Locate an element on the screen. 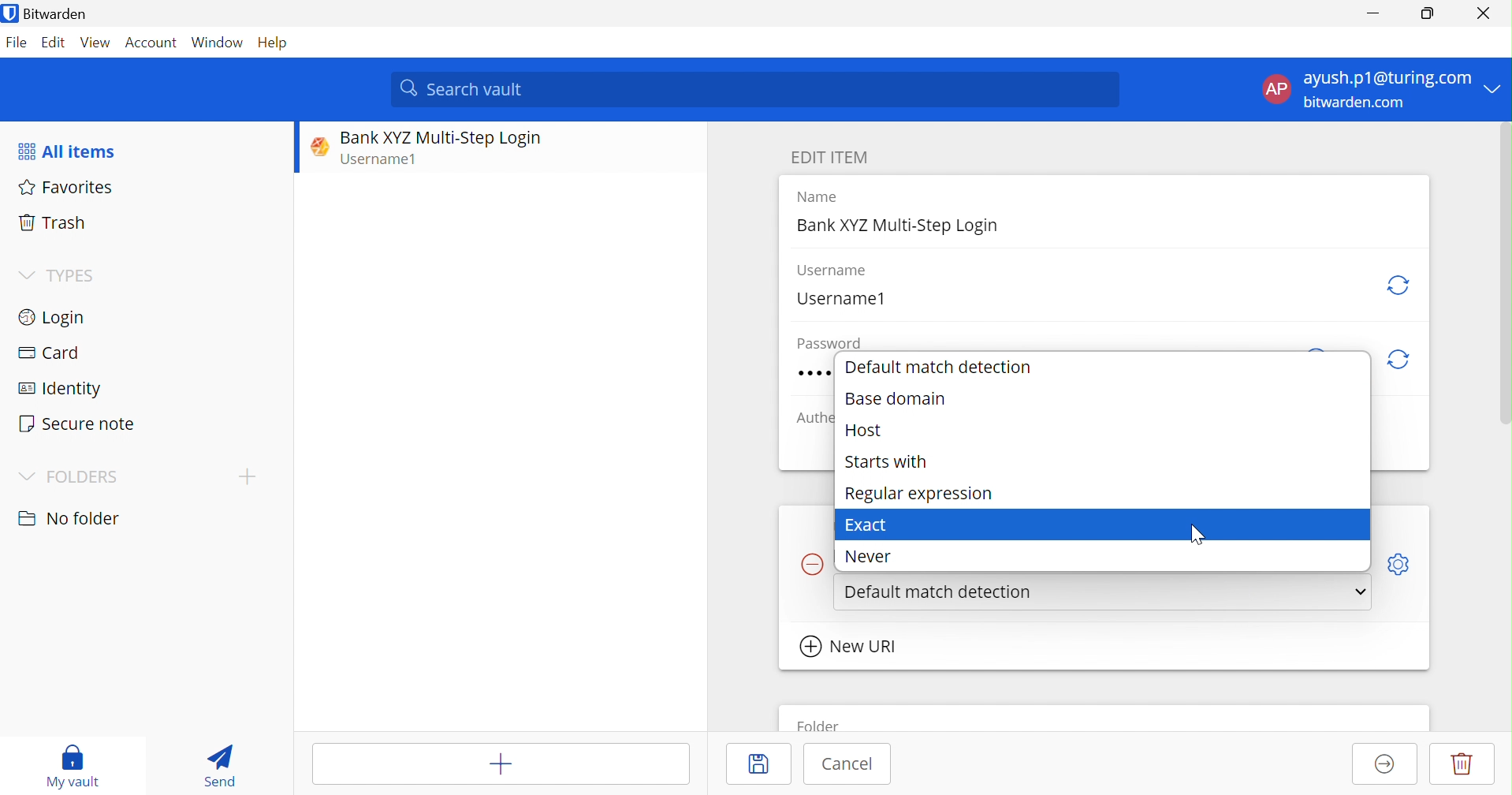 The width and height of the screenshot is (1512, 795). bitwarden.com is located at coordinates (1356, 103).